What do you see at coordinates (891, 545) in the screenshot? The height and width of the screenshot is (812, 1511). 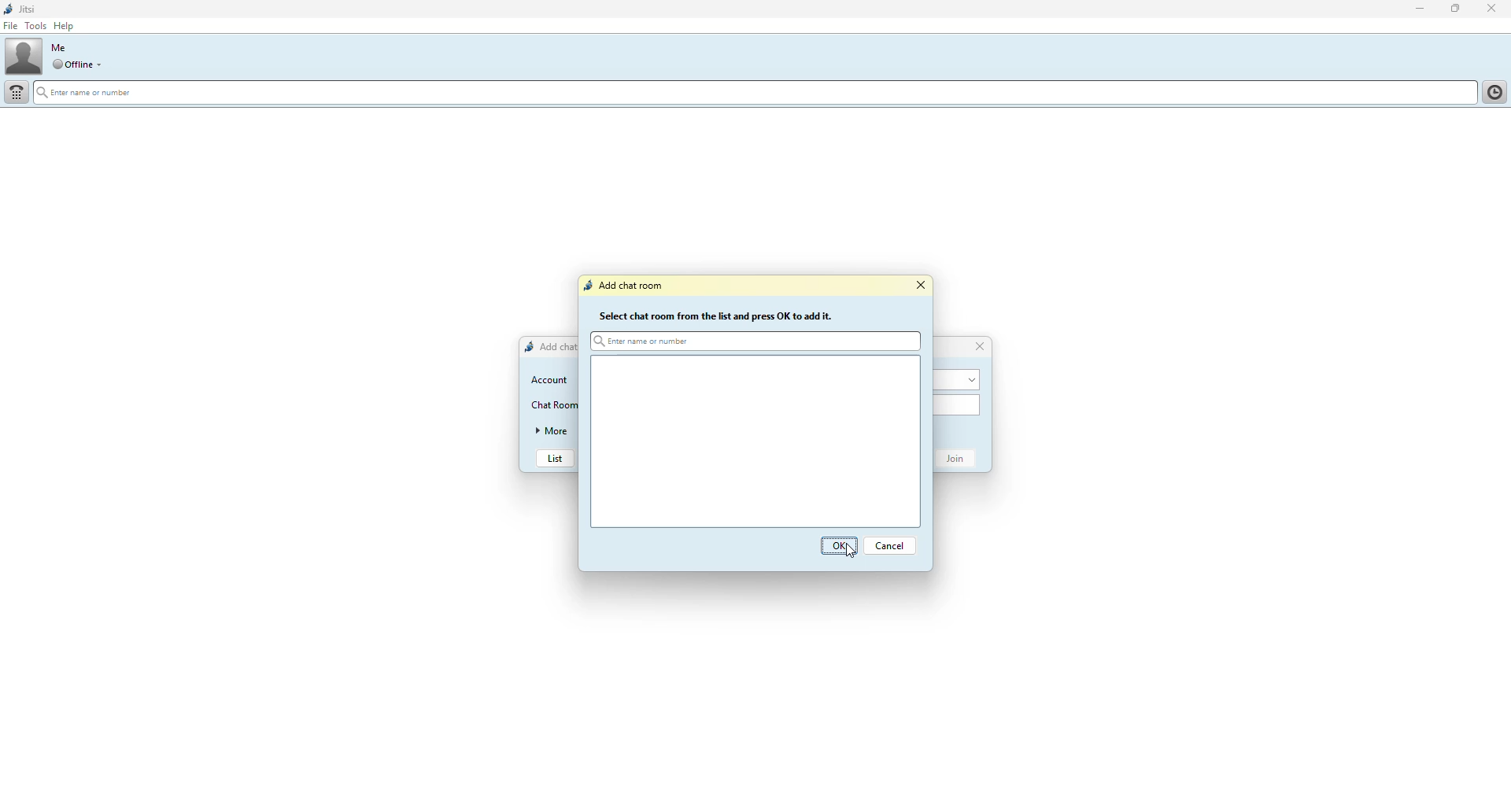 I see `Cancel` at bounding box center [891, 545].